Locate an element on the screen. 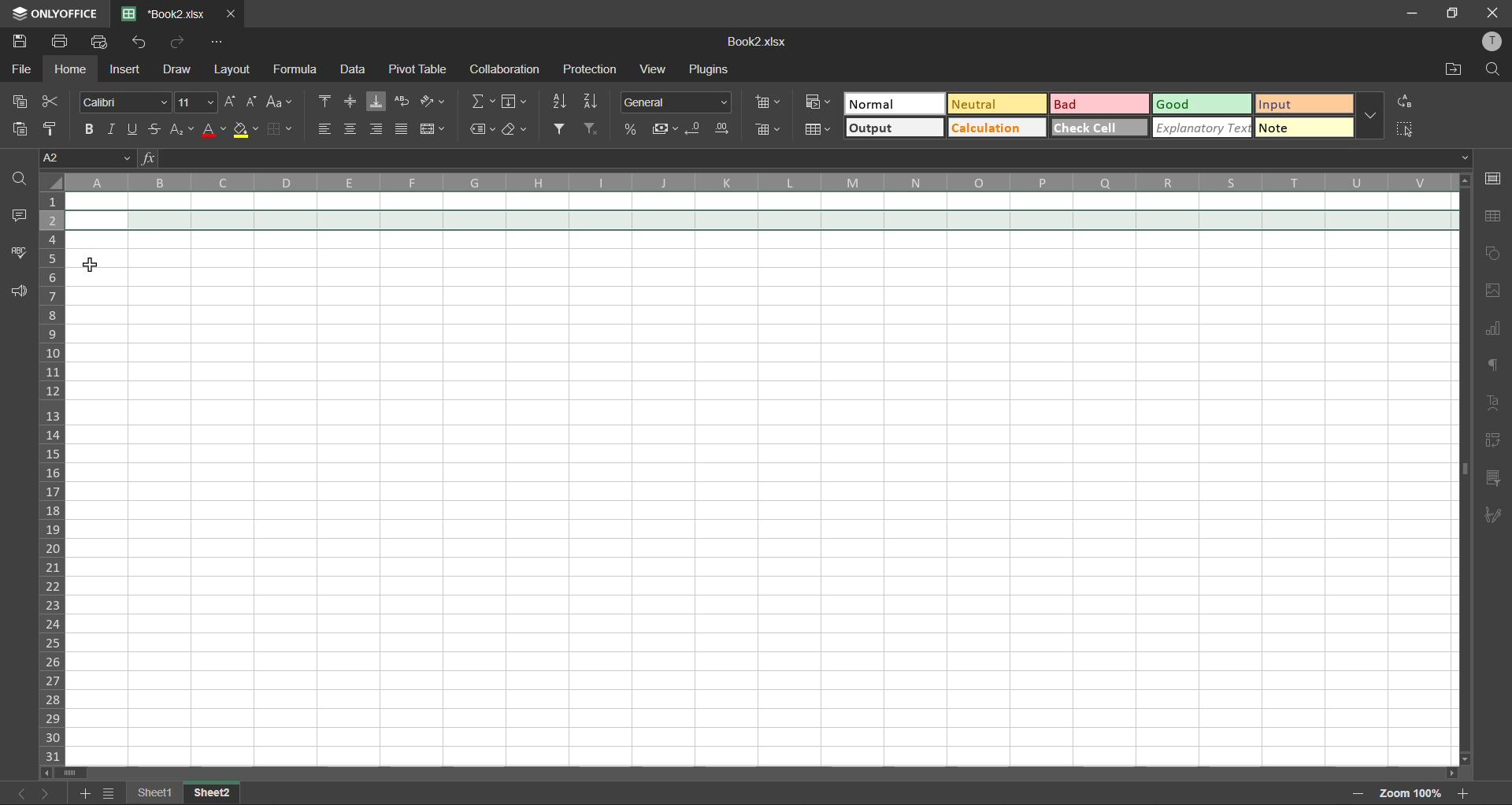 Image resolution: width=1512 pixels, height=805 pixels. number format is located at coordinates (680, 102).